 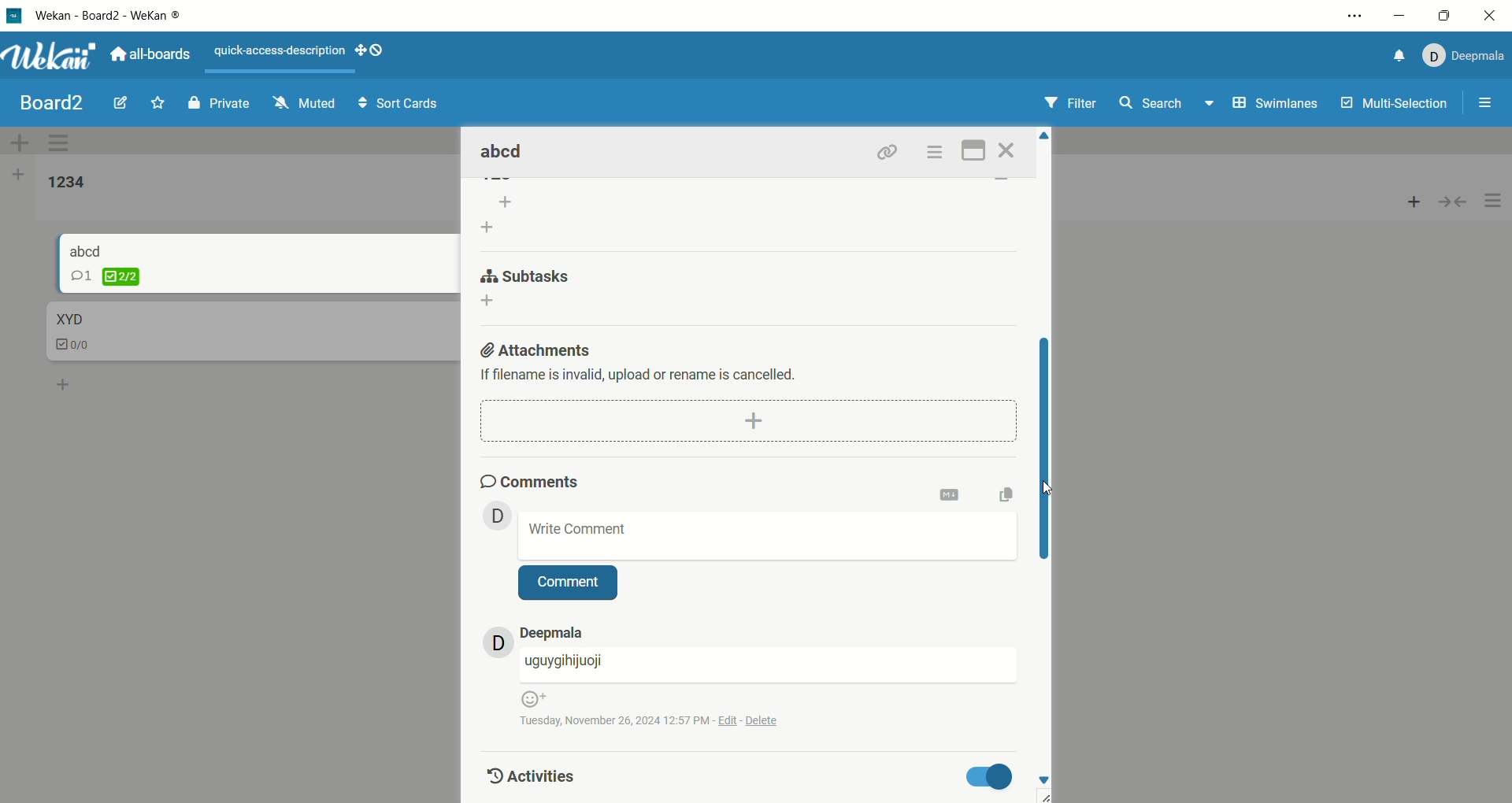 What do you see at coordinates (934, 152) in the screenshot?
I see `options` at bounding box center [934, 152].